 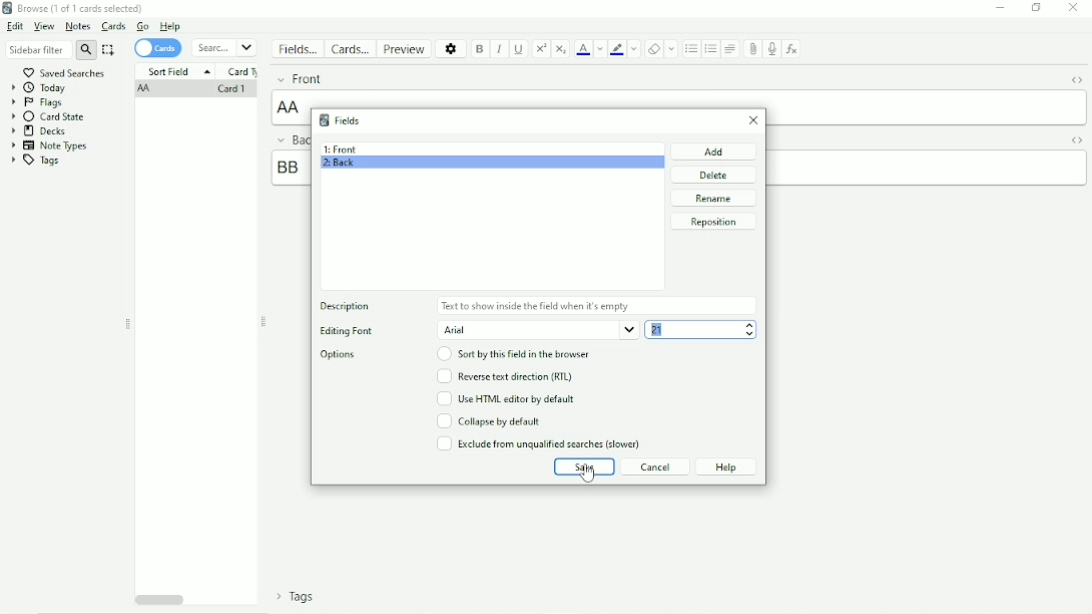 I want to click on Decrement value, so click(x=750, y=334).